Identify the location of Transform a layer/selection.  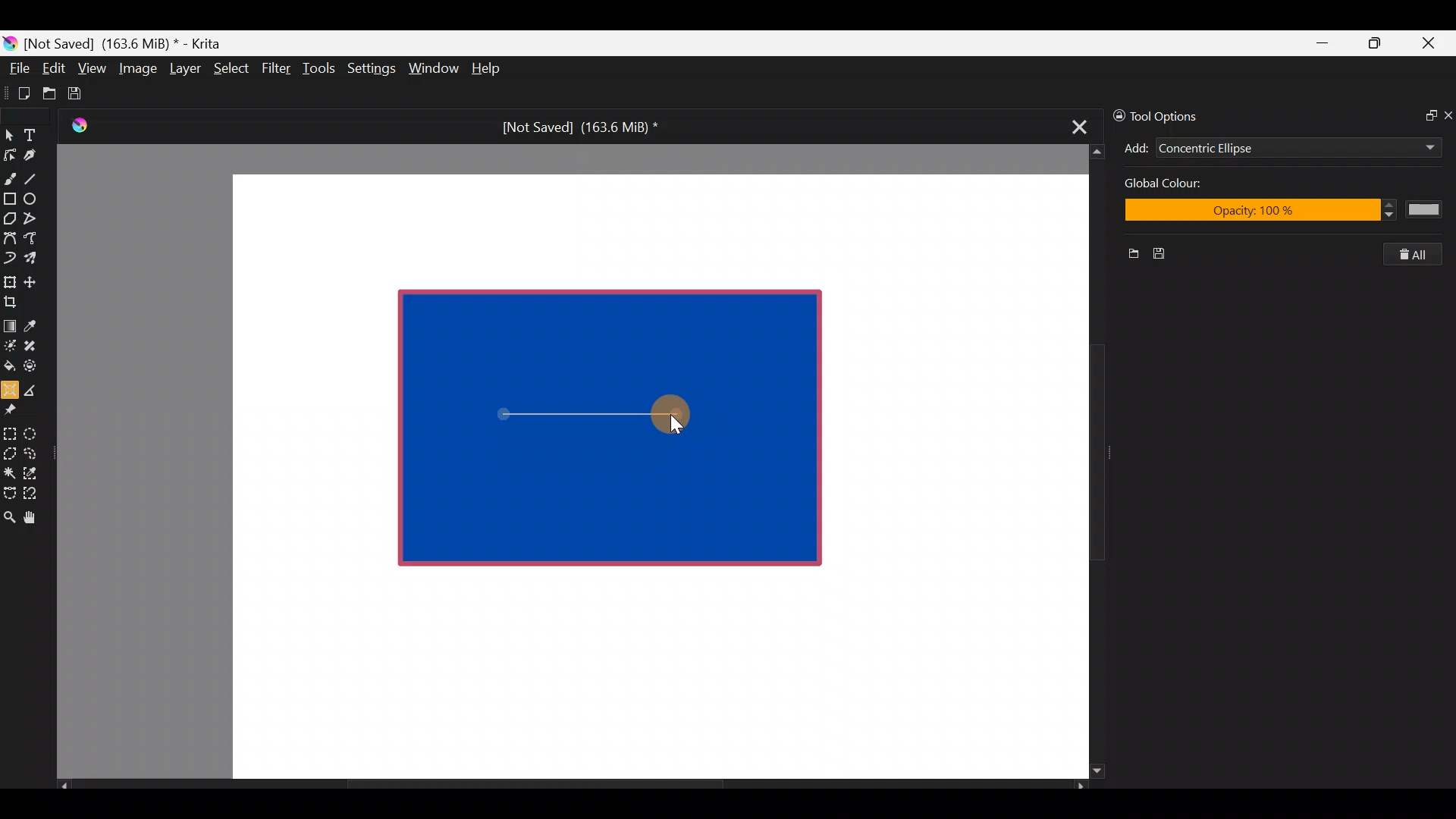
(9, 279).